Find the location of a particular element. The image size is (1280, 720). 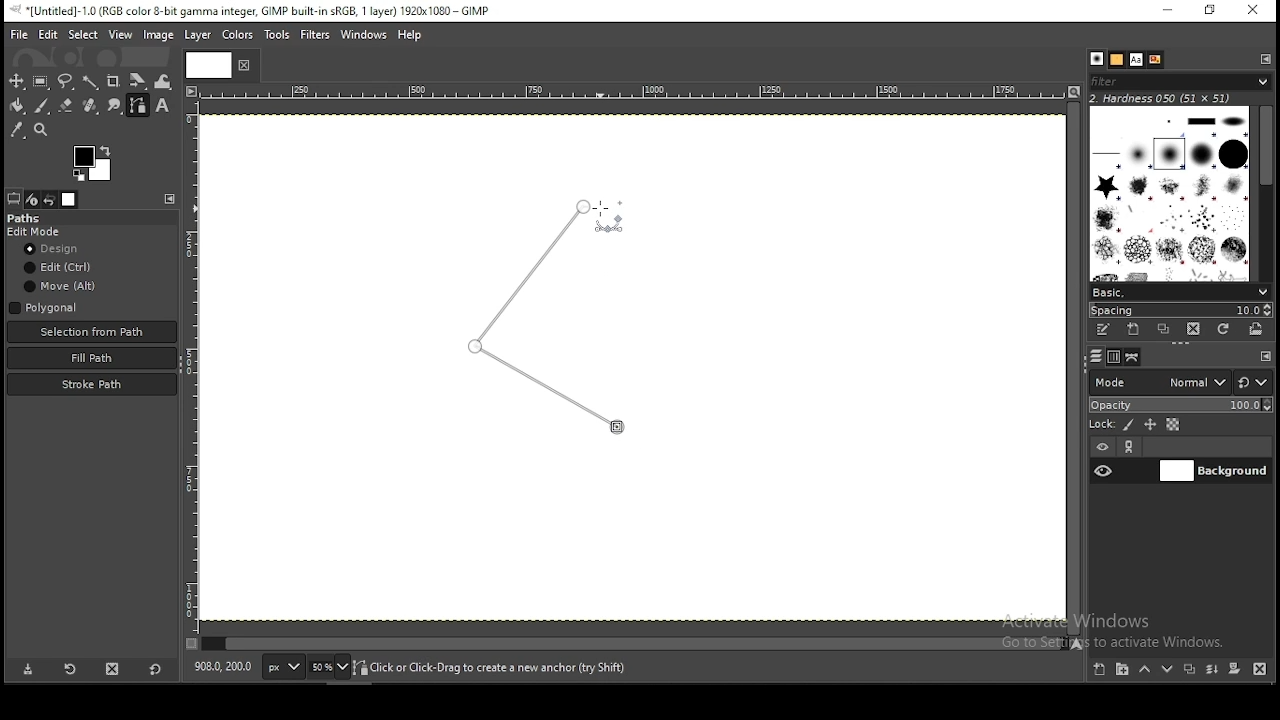

lock pixels is located at coordinates (1129, 424).